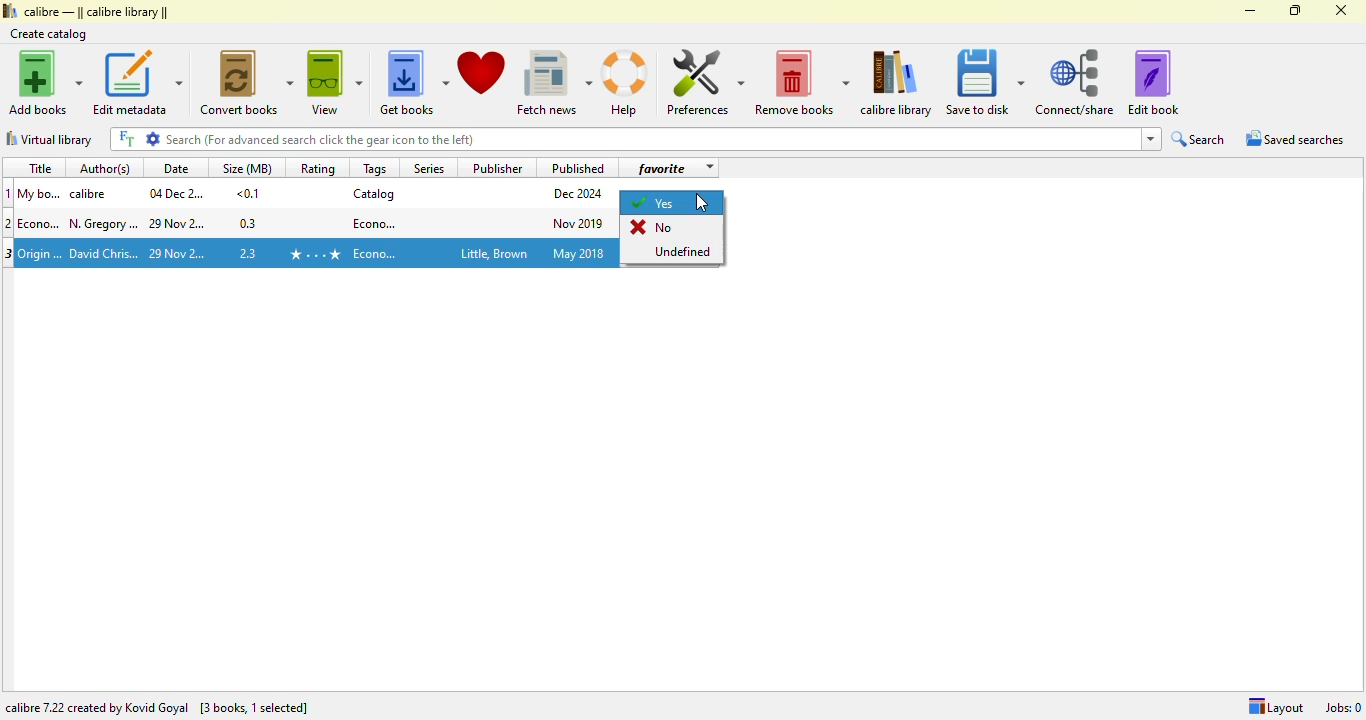 The height and width of the screenshot is (720, 1366). I want to click on Author, so click(104, 254).